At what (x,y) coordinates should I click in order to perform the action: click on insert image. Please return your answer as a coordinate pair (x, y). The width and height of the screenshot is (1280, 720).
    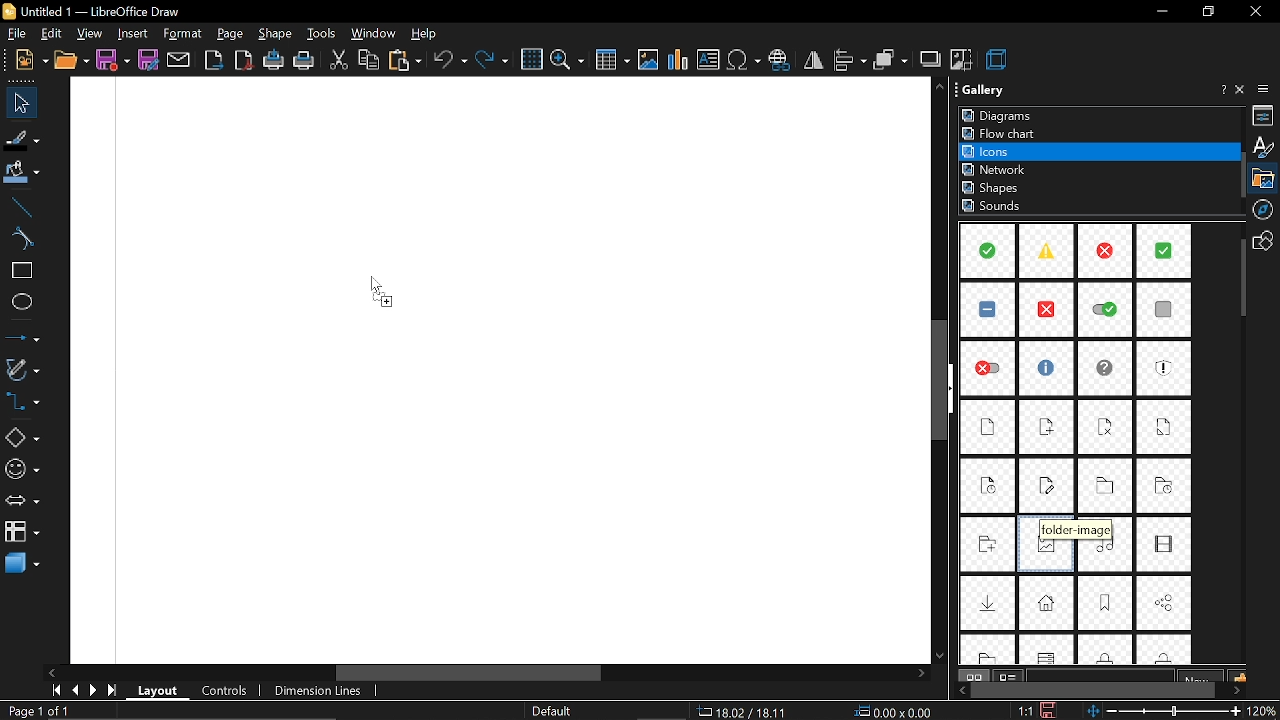
    Looking at the image, I should click on (648, 61).